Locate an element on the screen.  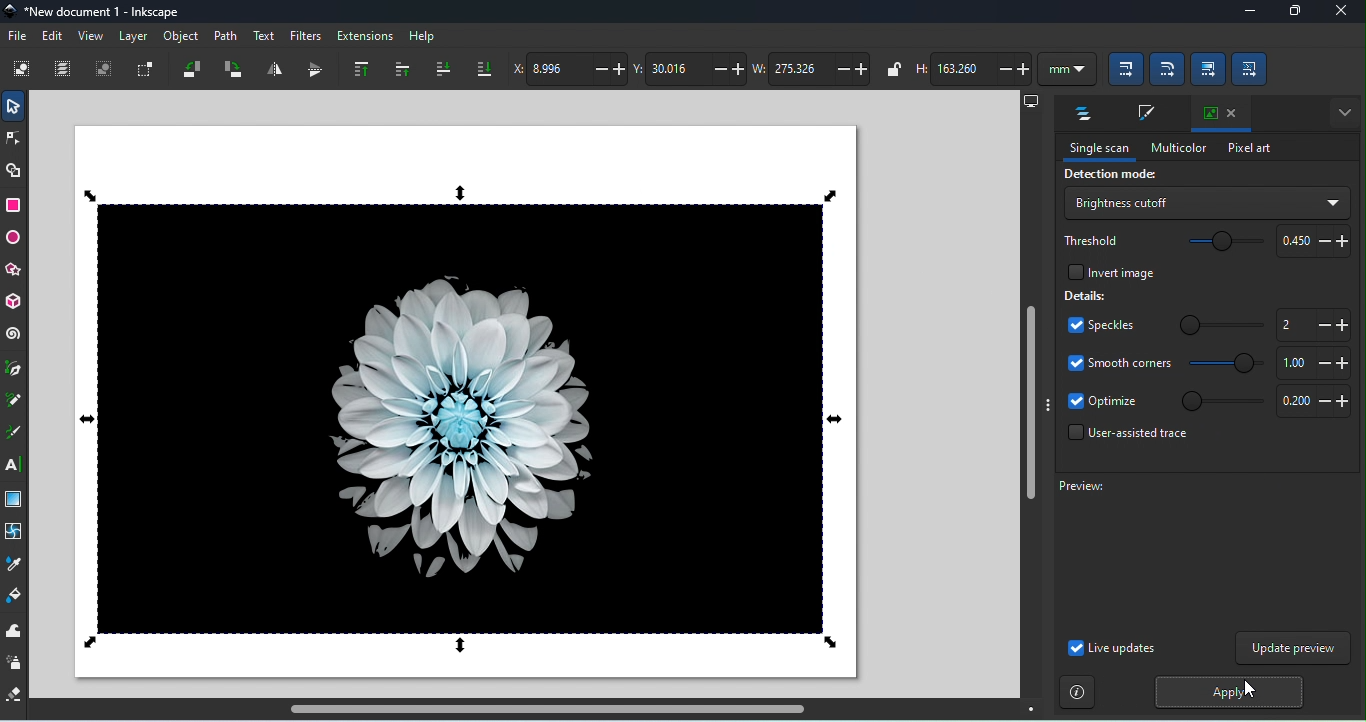
Details is located at coordinates (1086, 297).